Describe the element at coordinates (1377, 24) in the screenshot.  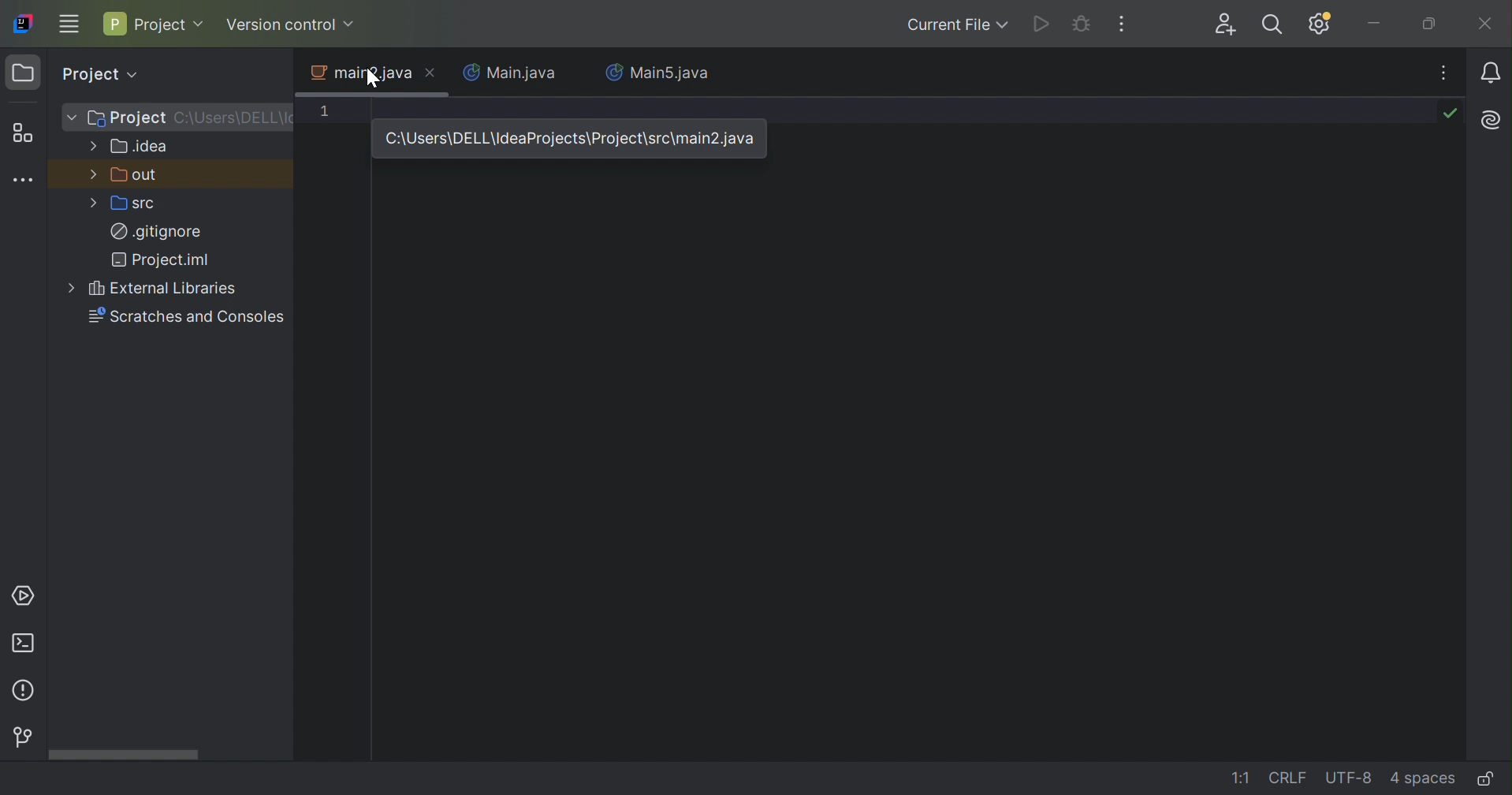
I see `Minimize` at that location.